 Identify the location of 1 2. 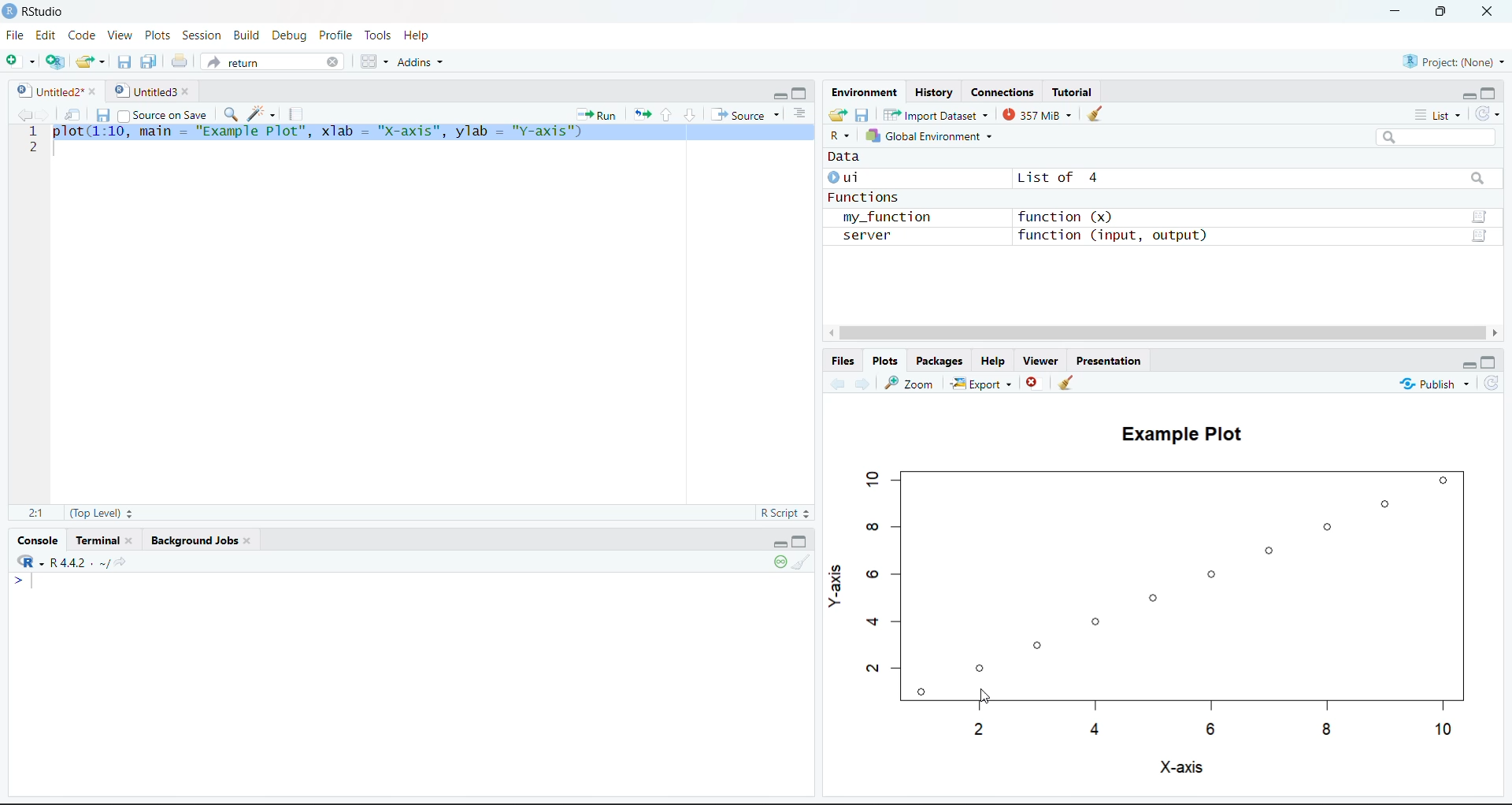
(33, 141).